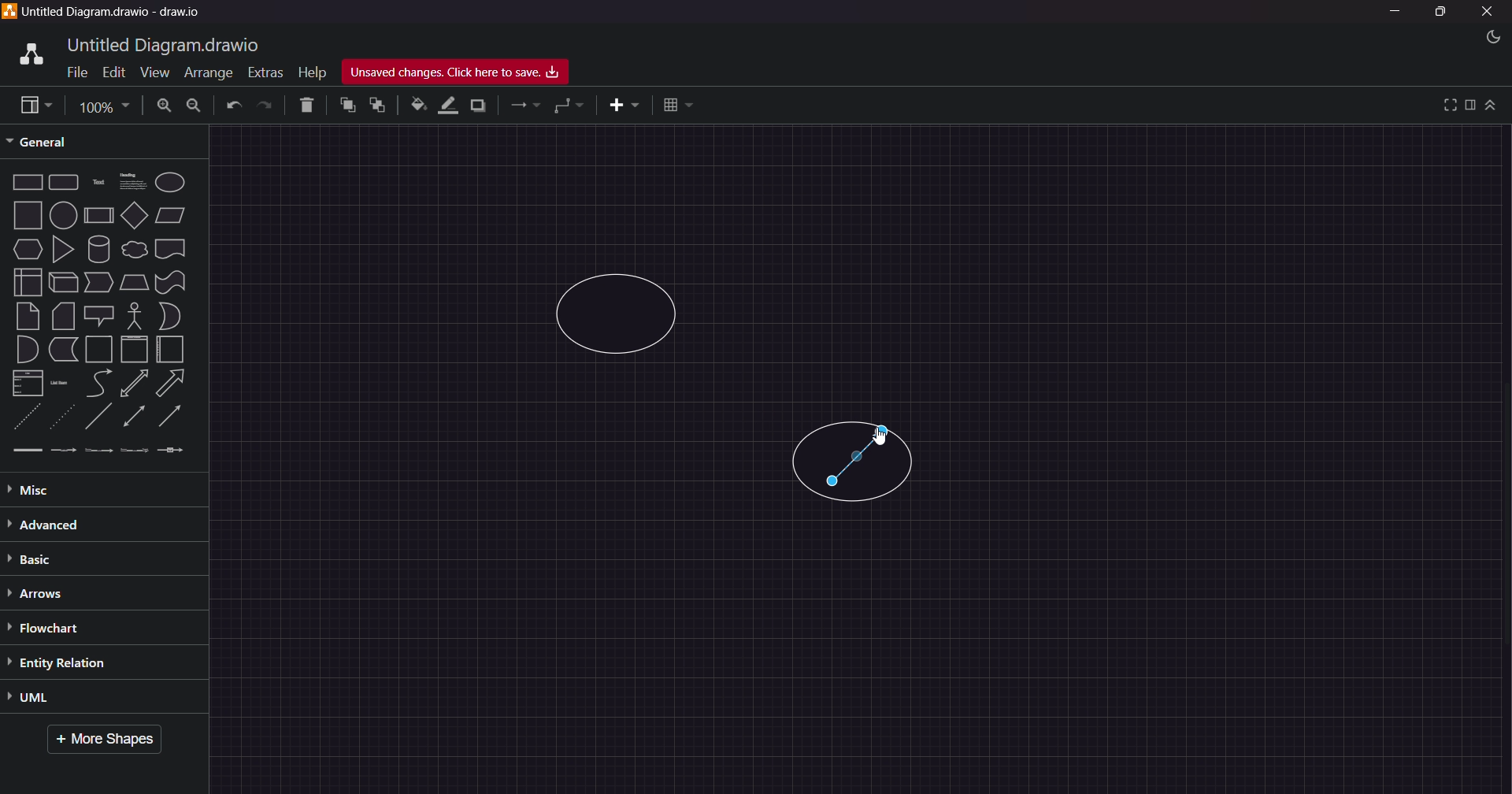 The width and height of the screenshot is (1512, 794). What do you see at coordinates (165, 105) in the screenshot?
I see `Zoom In` at bounding box center [165, 105].